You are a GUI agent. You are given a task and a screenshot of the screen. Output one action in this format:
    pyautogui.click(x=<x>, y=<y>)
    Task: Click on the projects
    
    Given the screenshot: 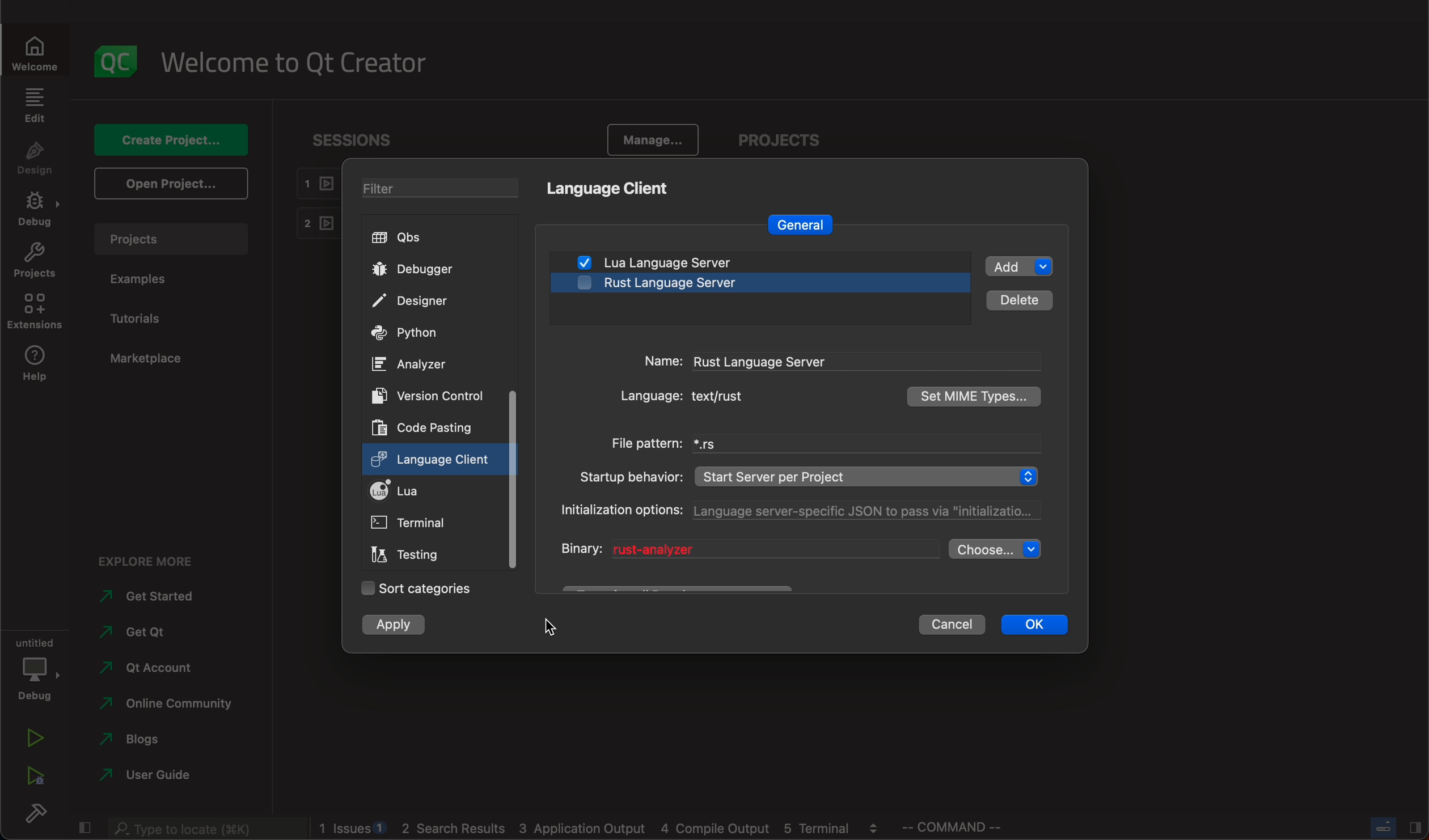 What is the action you would take?
    pyautogui.click(x=171, y=239)
    